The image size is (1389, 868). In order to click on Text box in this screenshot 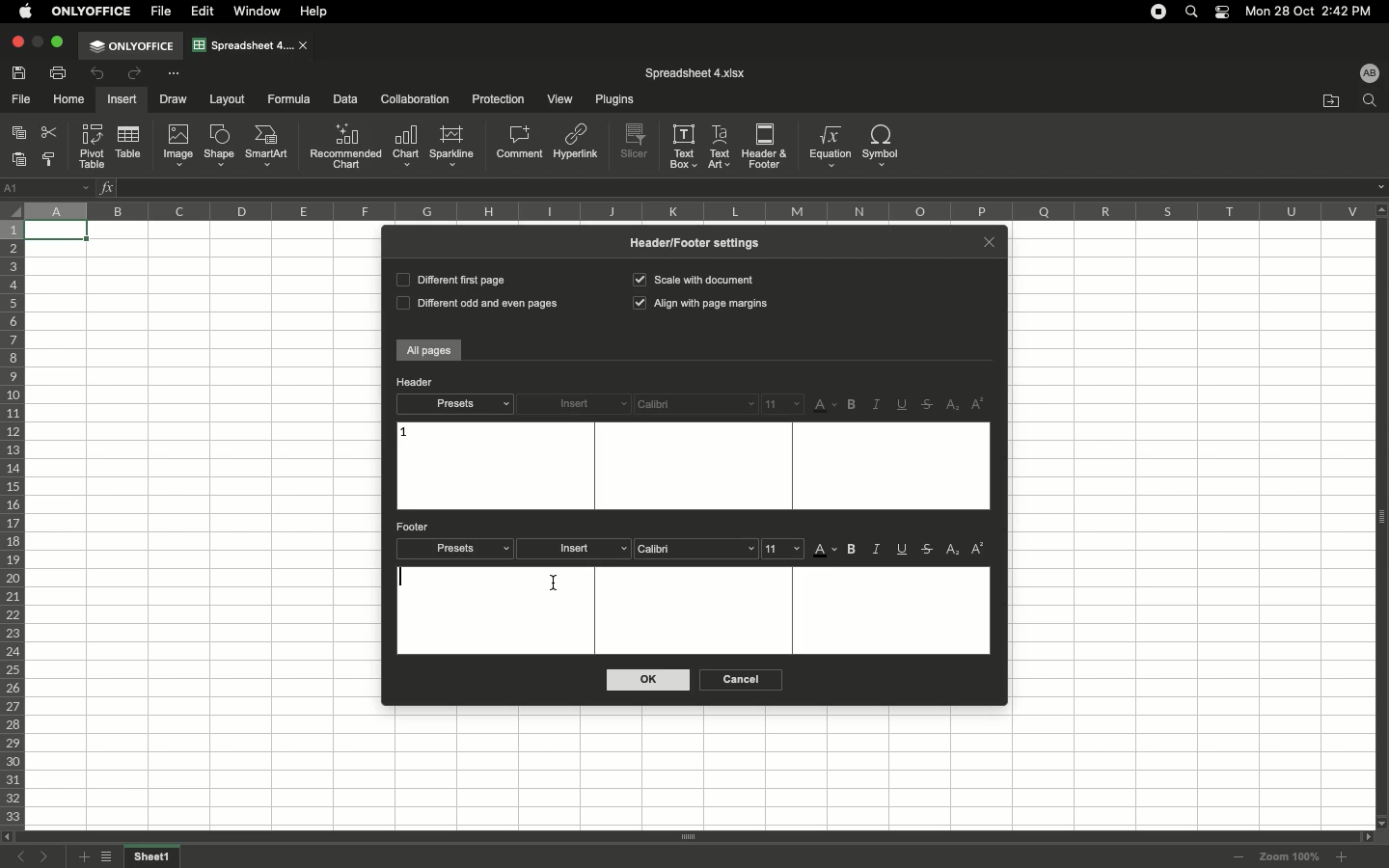, I will do `click(694, 610)`.